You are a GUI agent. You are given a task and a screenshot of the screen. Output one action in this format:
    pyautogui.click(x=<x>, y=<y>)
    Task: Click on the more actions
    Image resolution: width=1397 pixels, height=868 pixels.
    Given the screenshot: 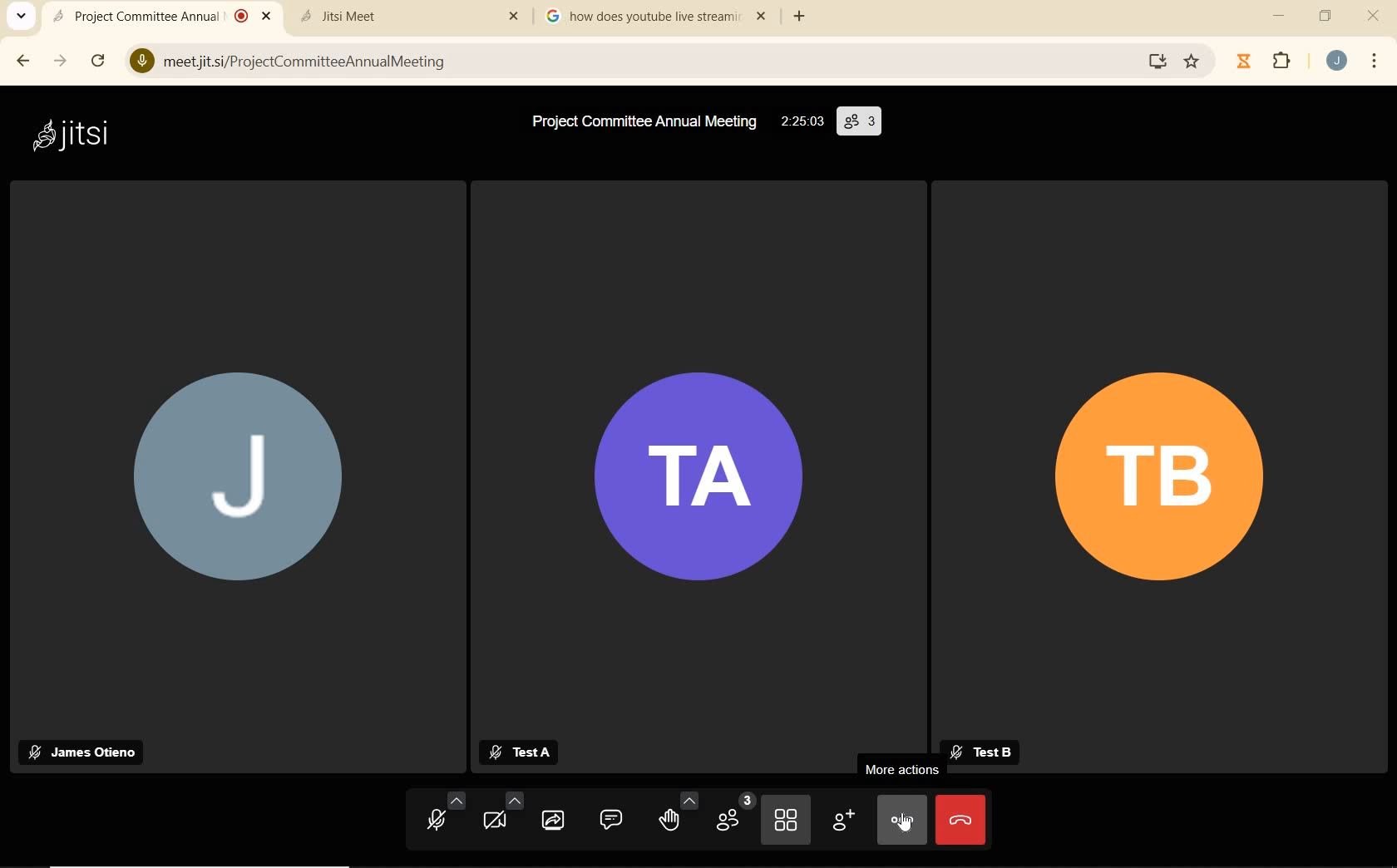 What is the action you would take?
    pyautogui.click(x=902, y=770)
    